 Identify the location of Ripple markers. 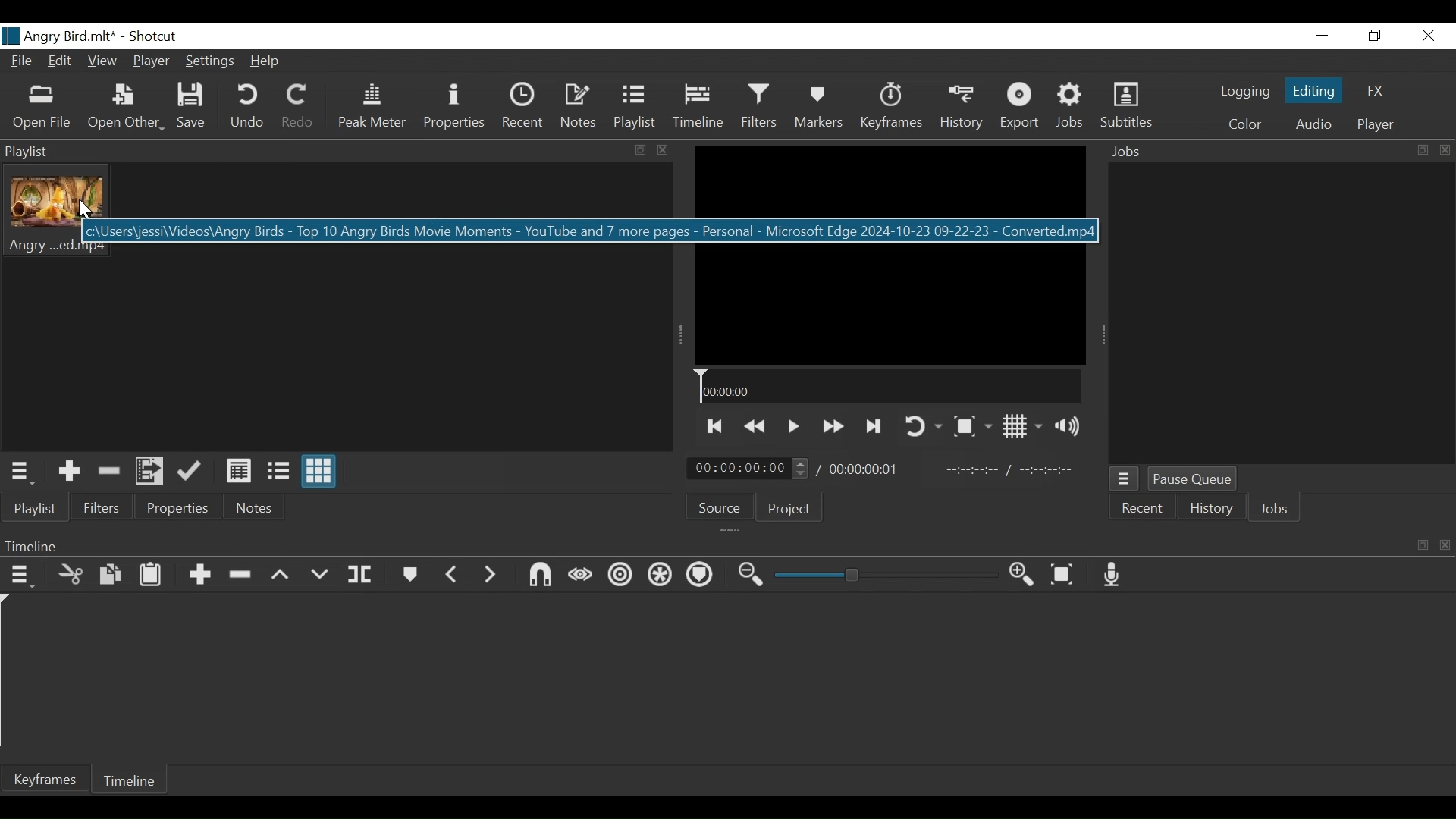
(699, 576).